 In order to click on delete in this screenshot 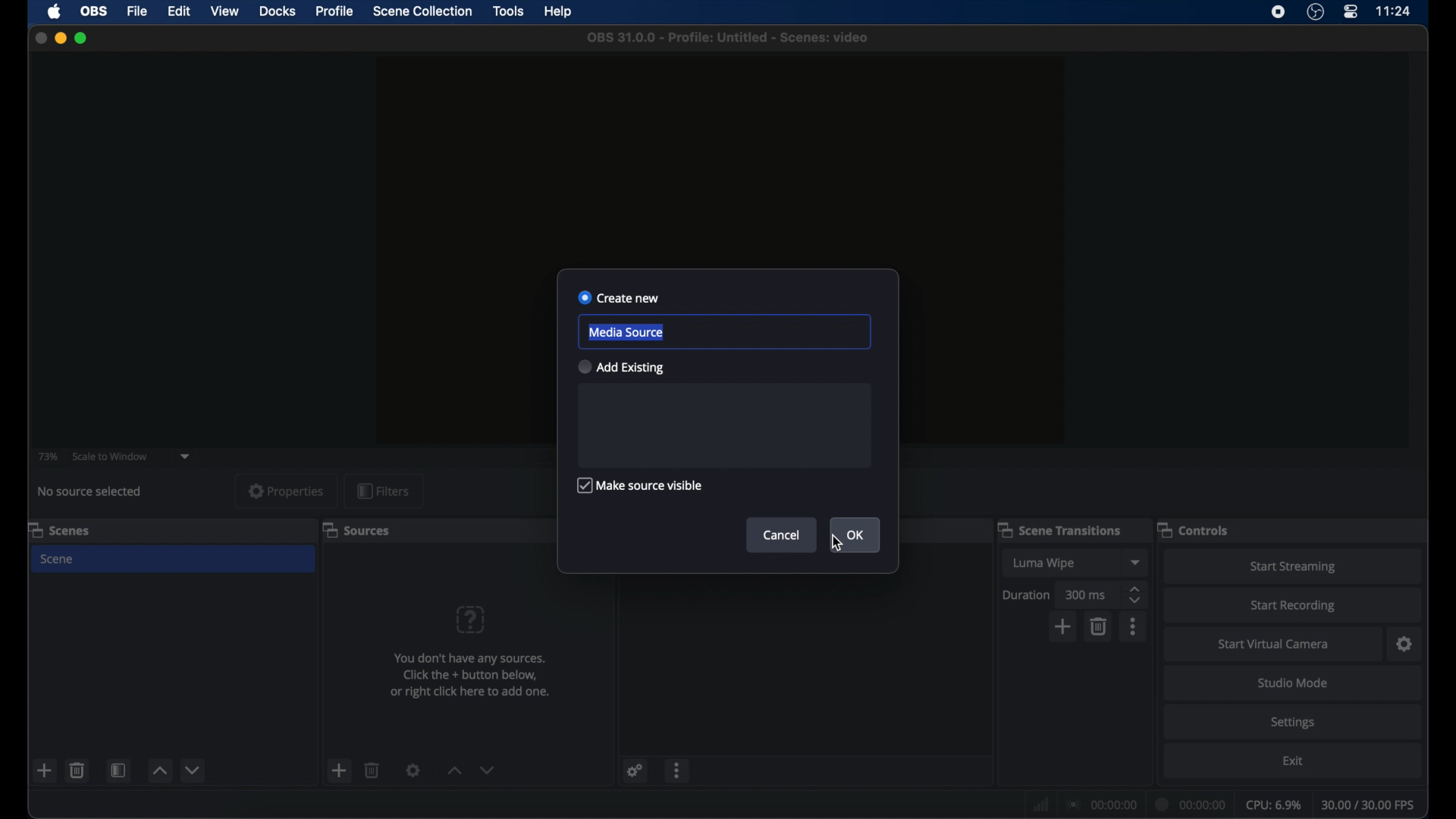, I will do `click(372, 770)`.